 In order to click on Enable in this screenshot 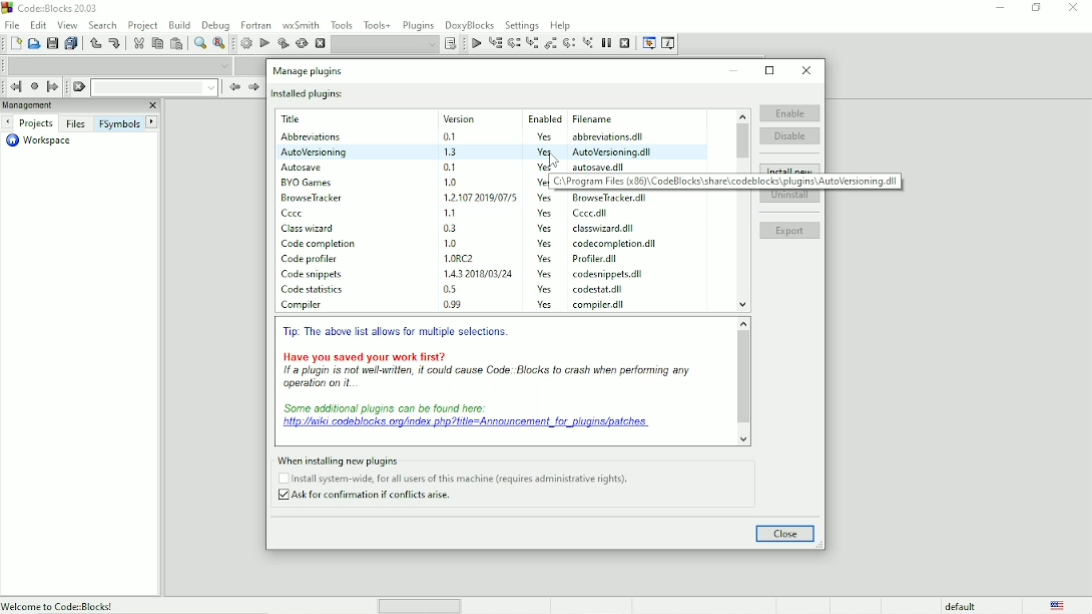, I will do `click(789, 111)`.